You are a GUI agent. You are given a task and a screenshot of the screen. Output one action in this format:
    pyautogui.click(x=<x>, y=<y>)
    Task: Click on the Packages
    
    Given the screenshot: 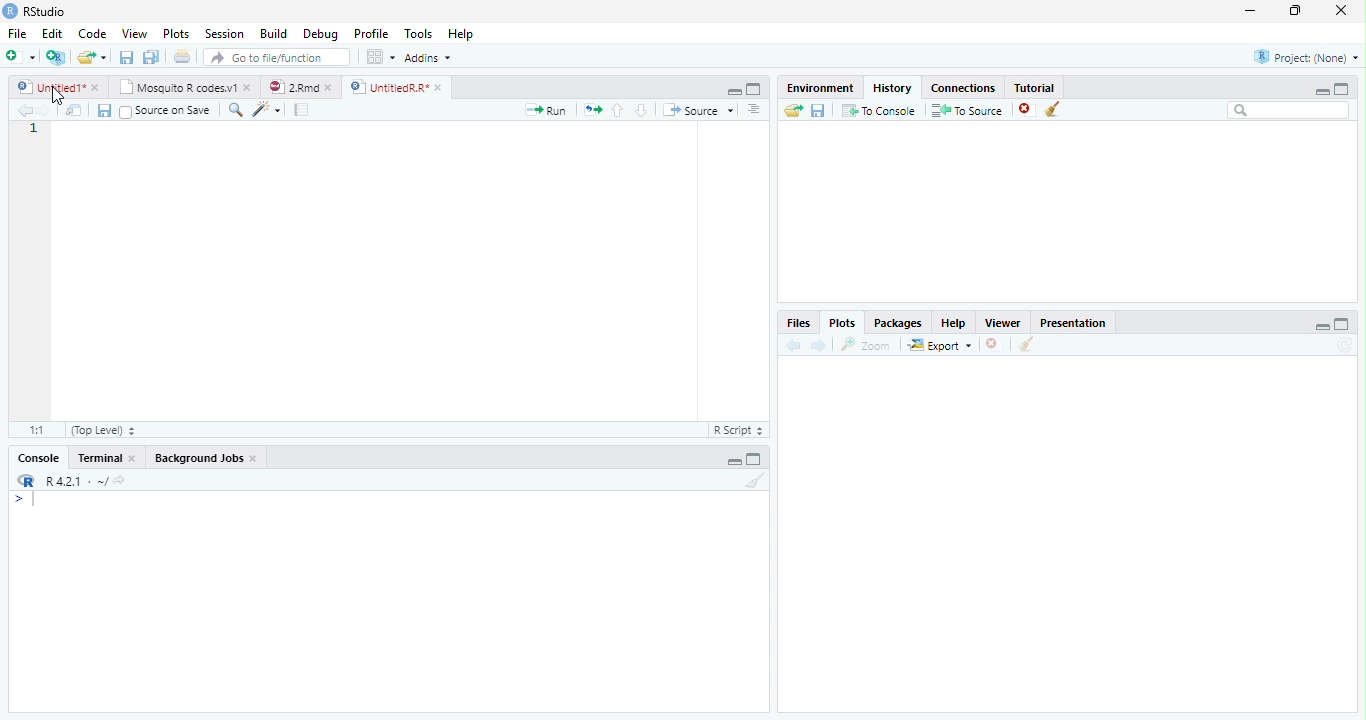 What is the action you would take?
    pyautogui.click(x=898, y=322)
    